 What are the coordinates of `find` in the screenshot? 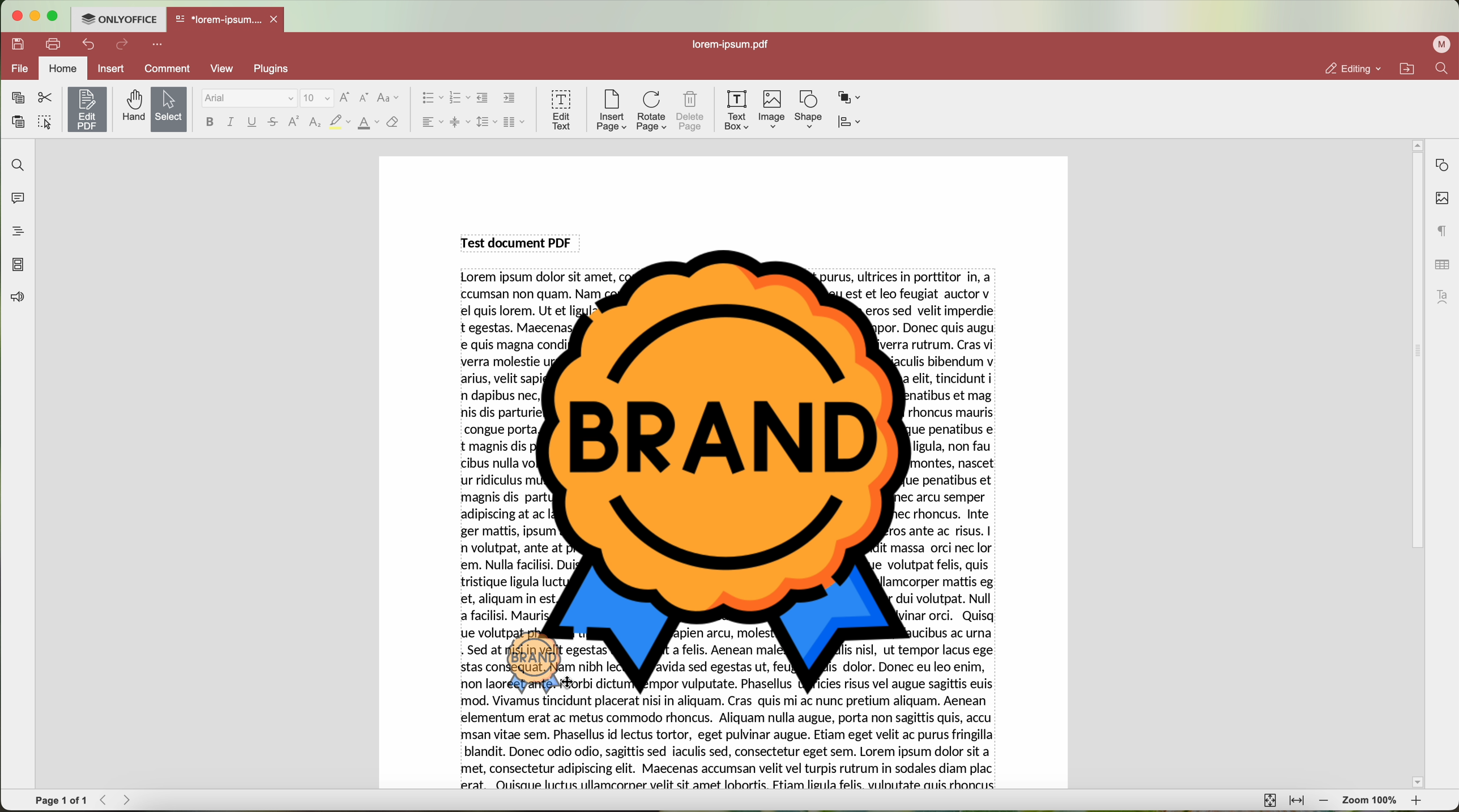 It's located at (1441, 68).